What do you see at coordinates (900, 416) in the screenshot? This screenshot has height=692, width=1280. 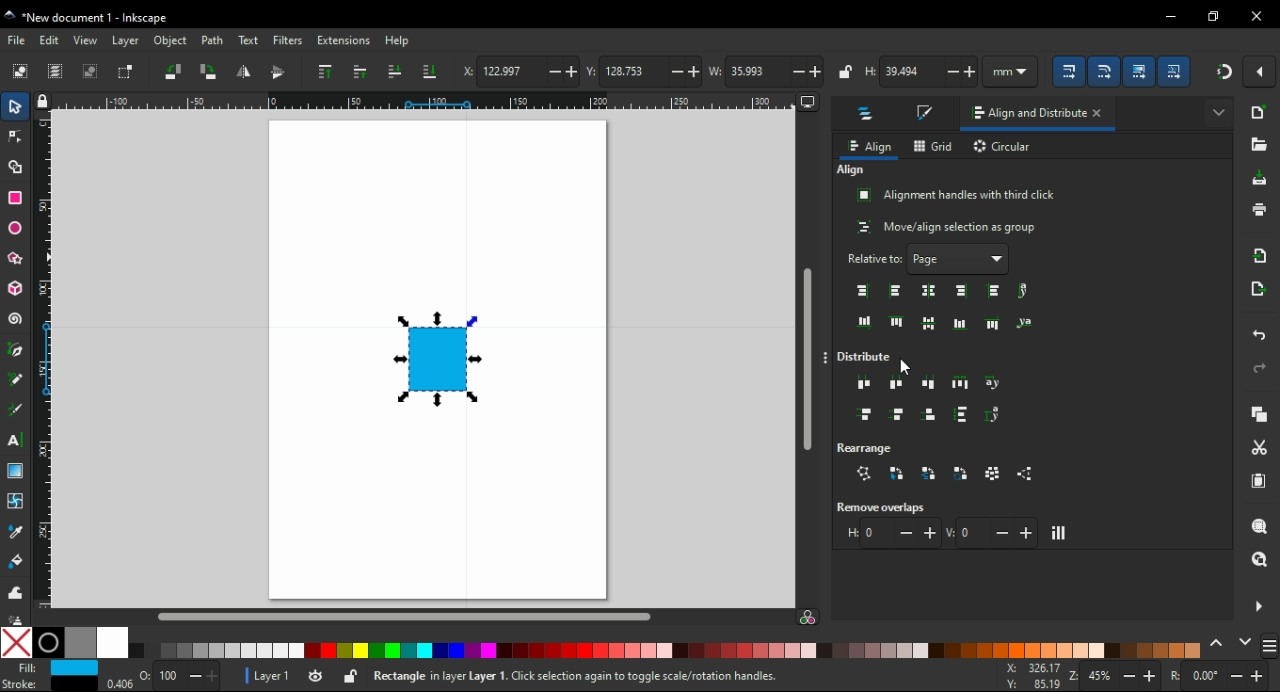 I see `distribute vertically with even spacing between centers` at bounding box center [900, 416].